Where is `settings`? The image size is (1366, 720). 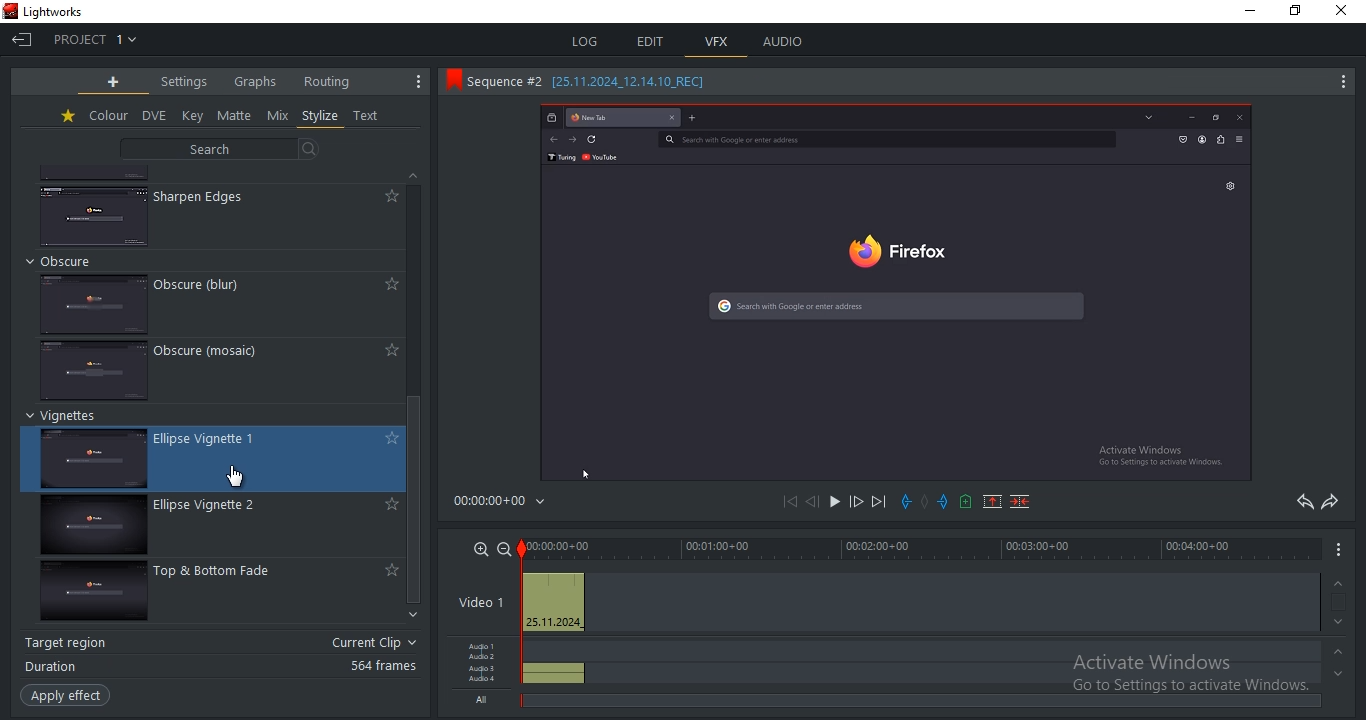 settings is located at coordinates (187, 82).